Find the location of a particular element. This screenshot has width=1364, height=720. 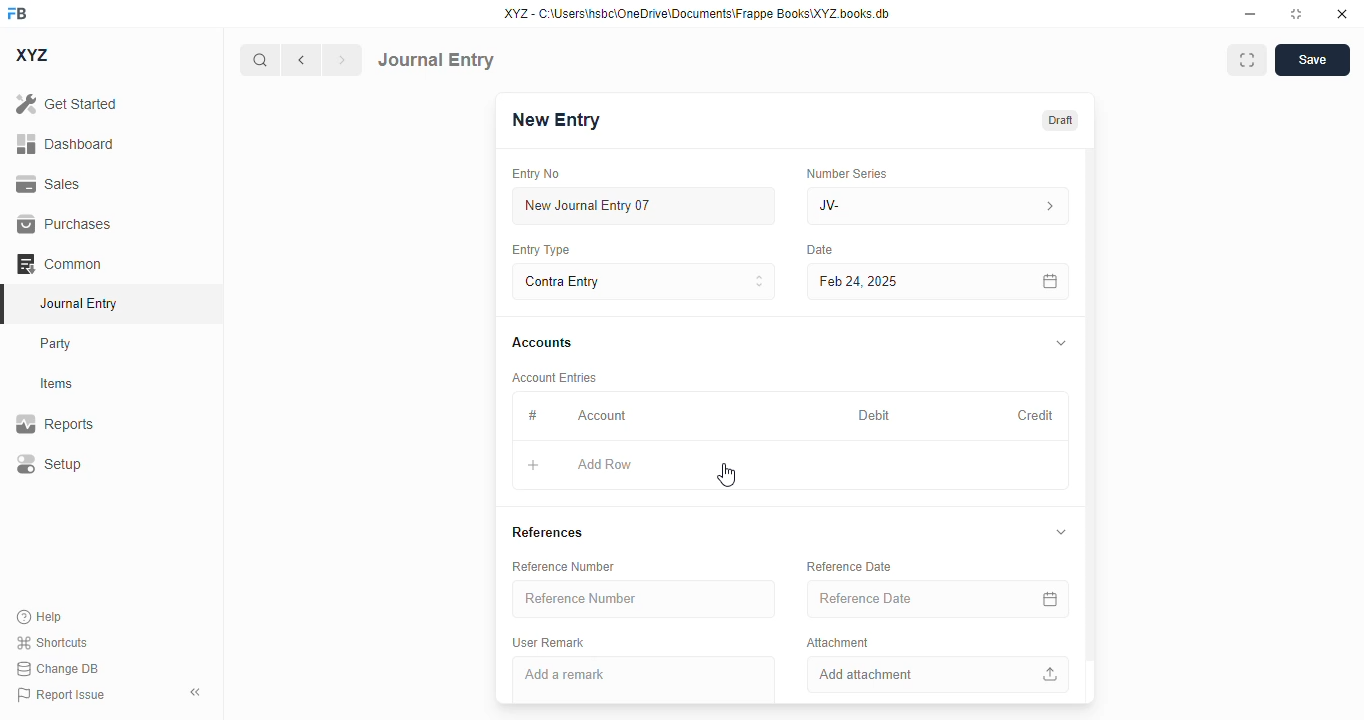

close is located at coordinates (1342, 14).